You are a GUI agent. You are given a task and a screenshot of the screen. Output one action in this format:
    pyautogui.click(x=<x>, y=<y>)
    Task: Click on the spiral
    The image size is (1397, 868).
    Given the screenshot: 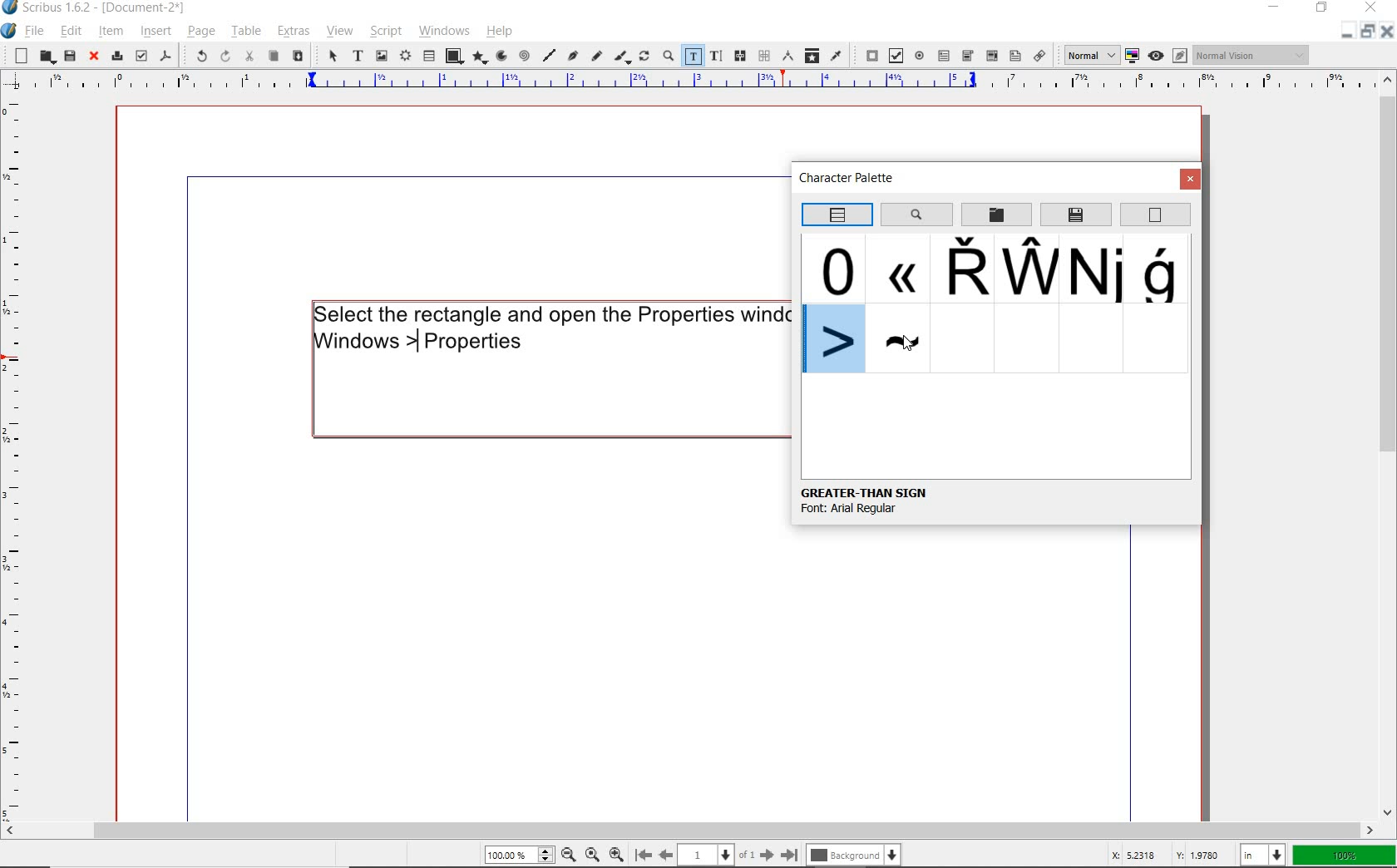 What is the action you would take?
    pyautogui.click(x=524, y=55)
    